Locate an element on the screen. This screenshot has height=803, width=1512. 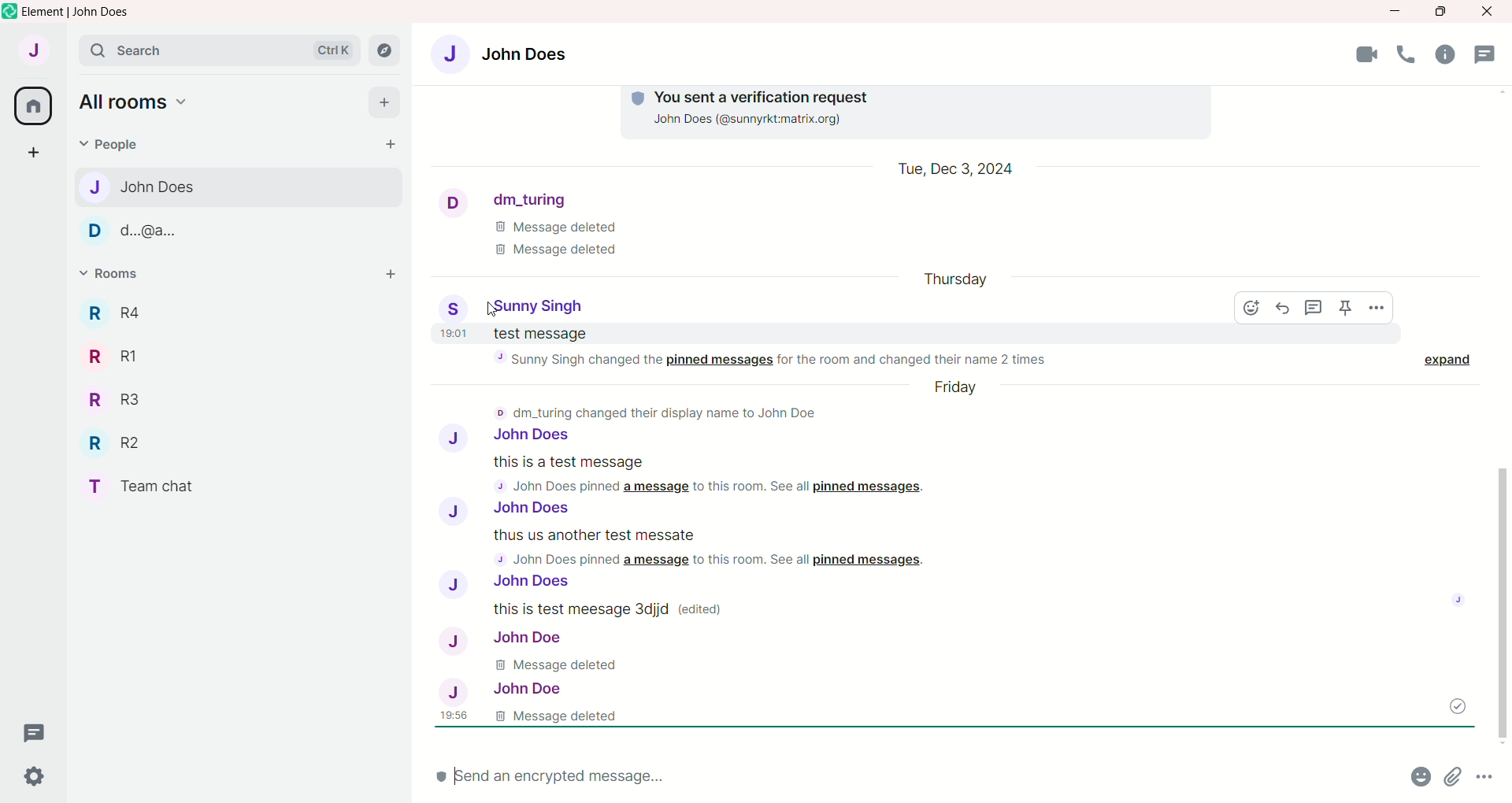
settings is located at coordinates (28, 779).